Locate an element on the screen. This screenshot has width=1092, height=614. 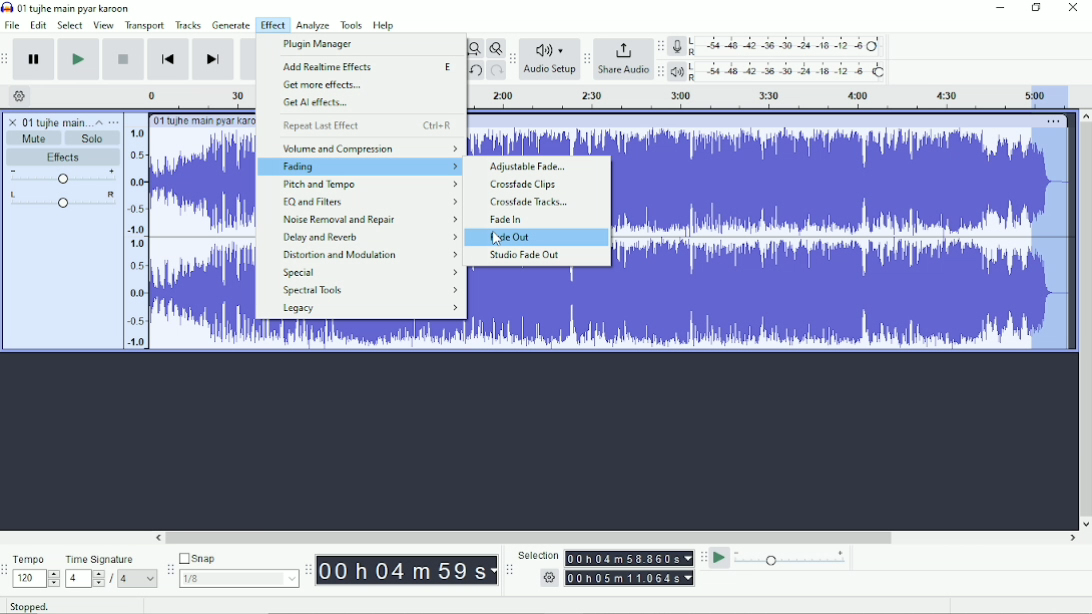
Playback meter is located at coordinates (778, 71).